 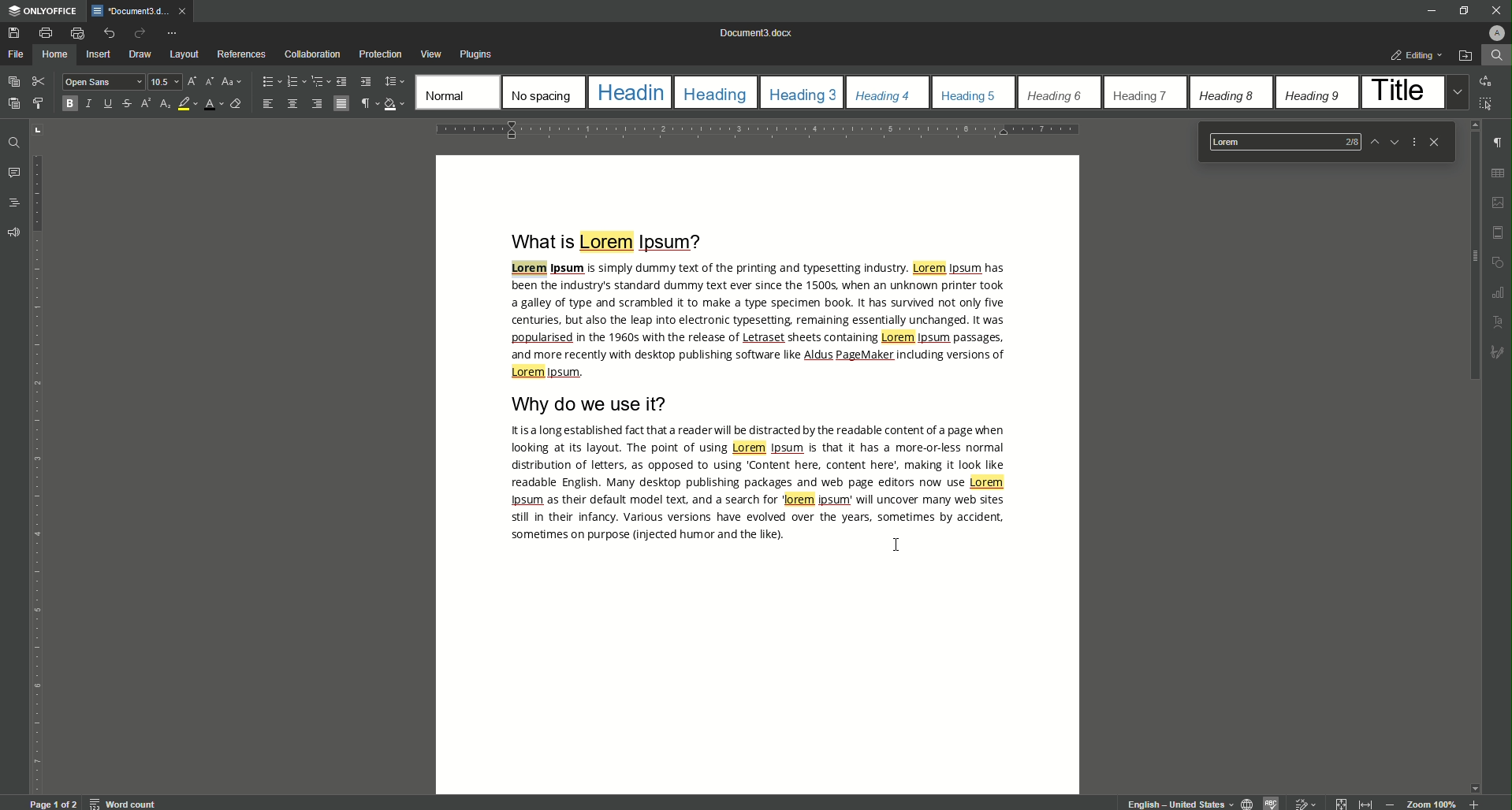 What do you see at coordinates (40, 104) in the screenshot?
I see `Copy style` at bounding box center [40, 104].